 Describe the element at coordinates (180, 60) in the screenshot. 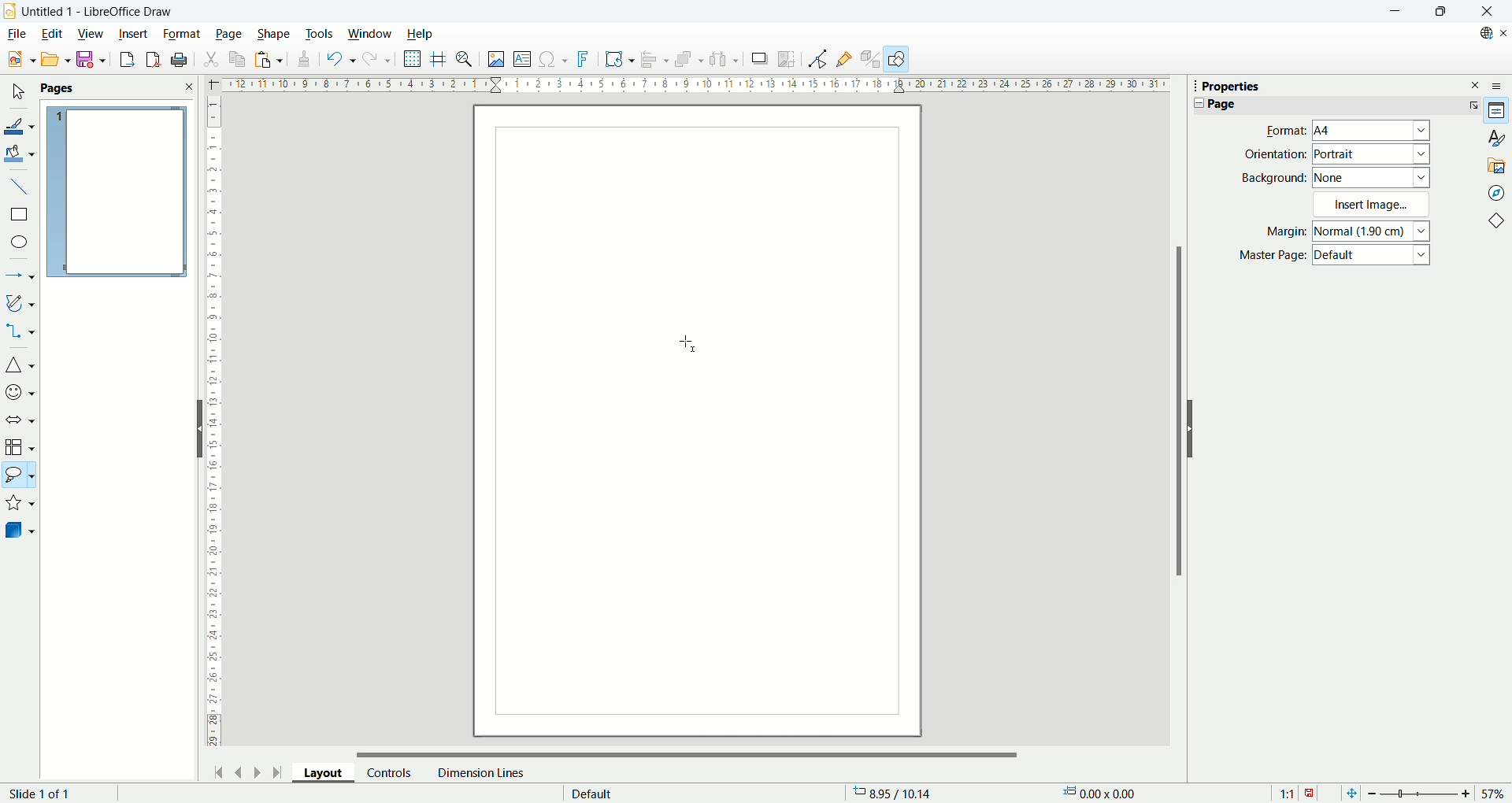

I see `print` at that location.